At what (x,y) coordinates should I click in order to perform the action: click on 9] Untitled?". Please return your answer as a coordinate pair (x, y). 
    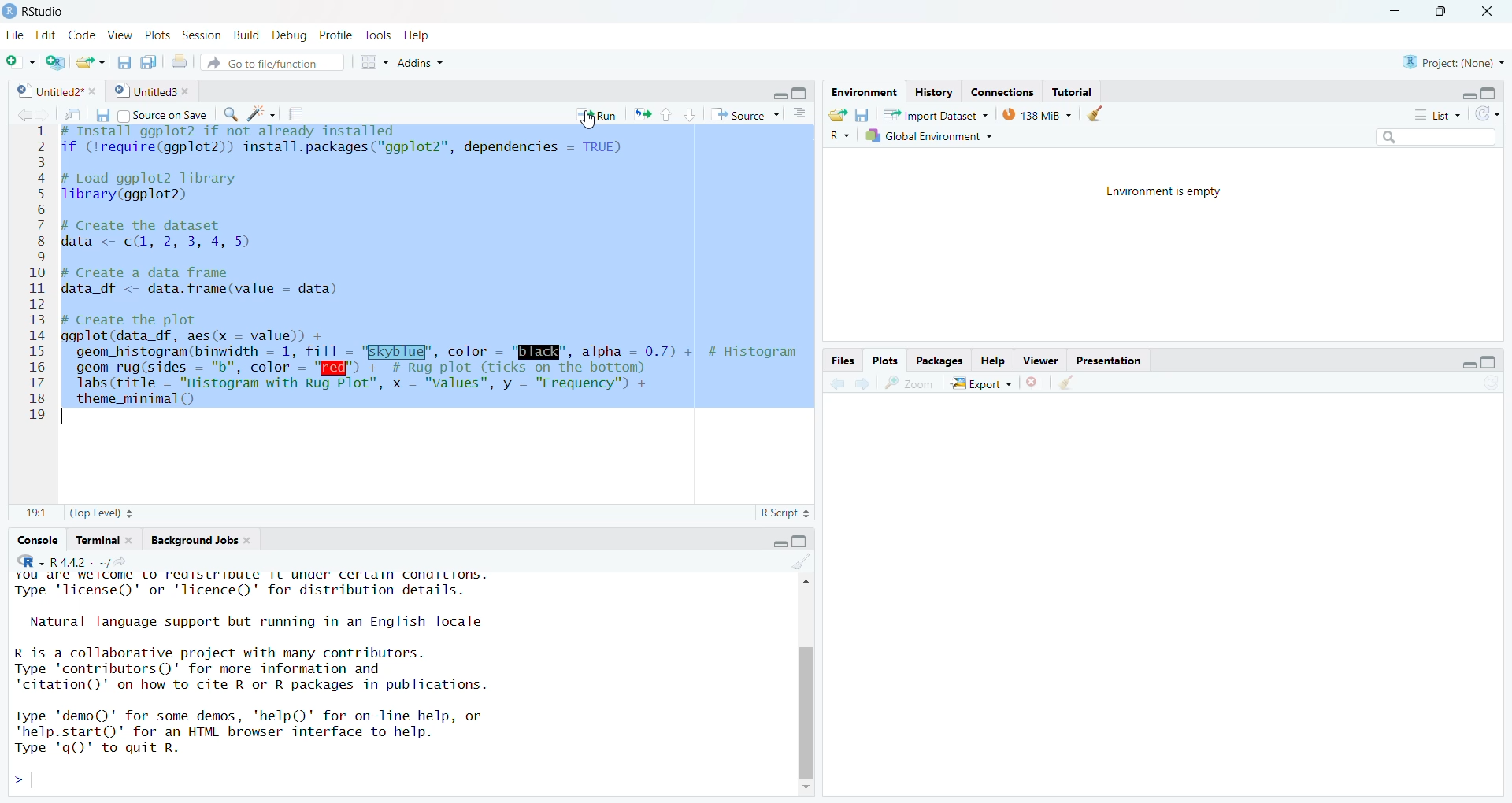
    Looking at the image, I should click on (48, 92).